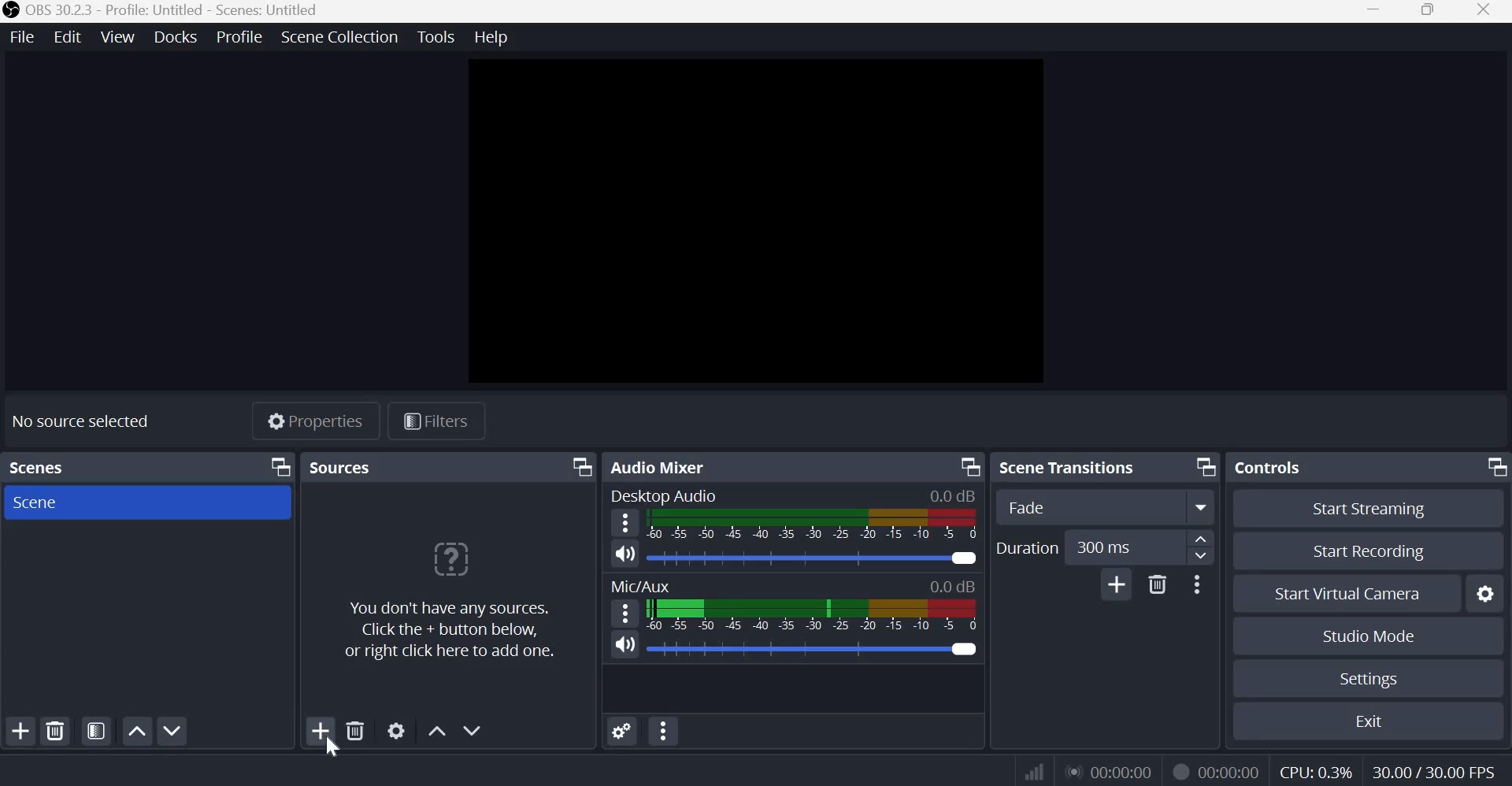  I want to click on More options, so click(1197, 584).